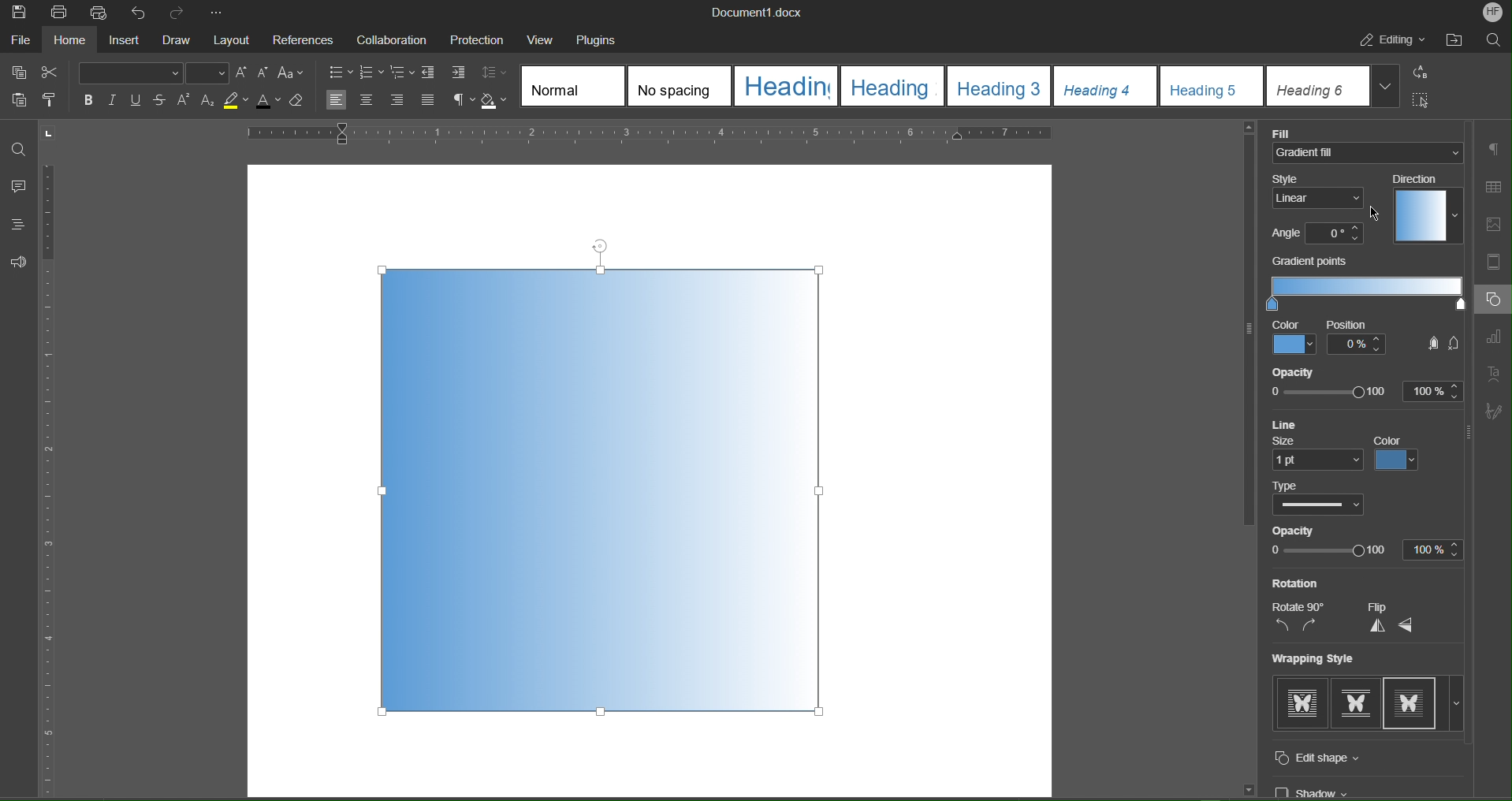 The image size is (1512, 801). Describe the element at coordinates (306, 38) in the screenshot. I see `References` at that location.